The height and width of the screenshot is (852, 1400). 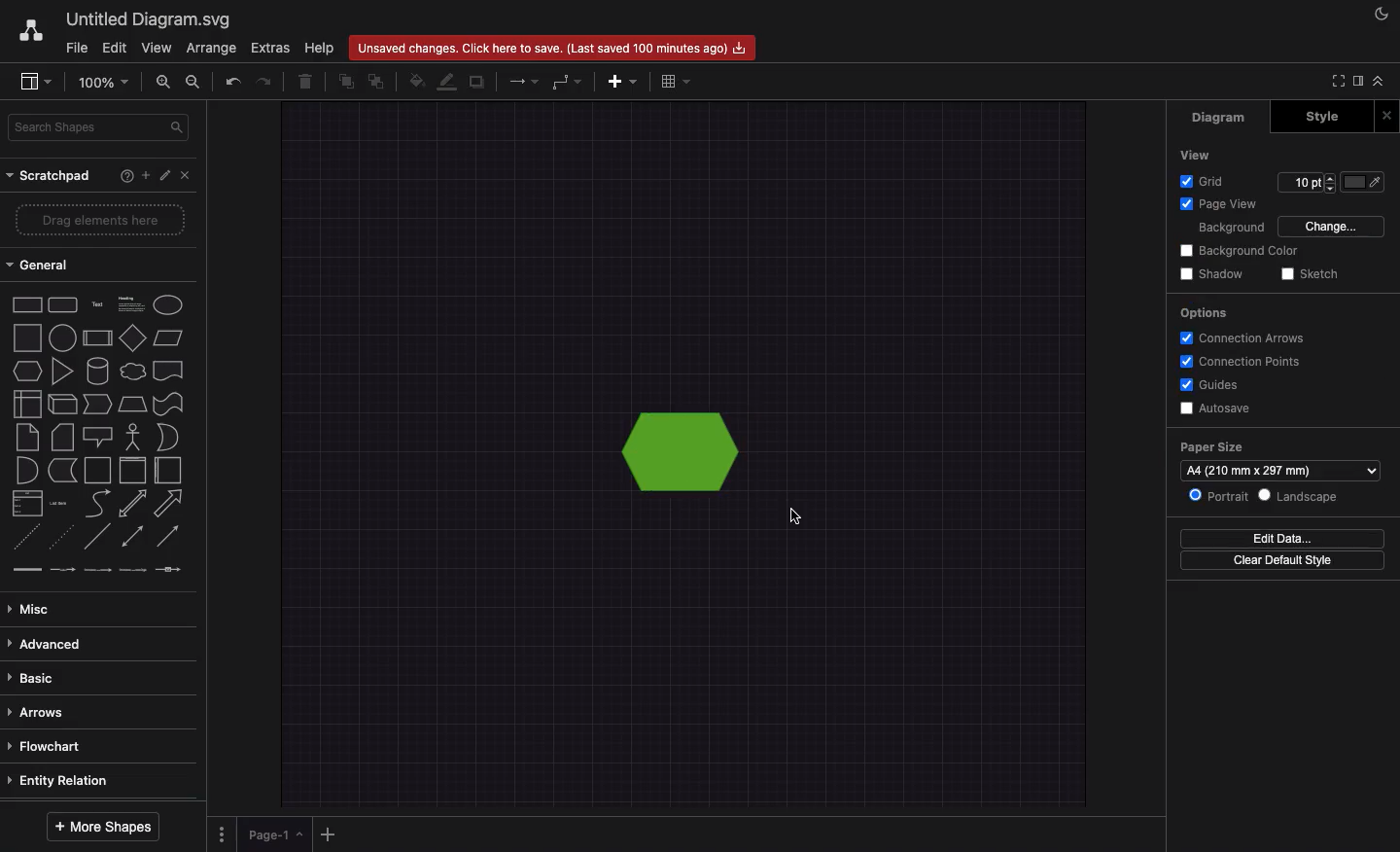 I want to click on Options, so click(x=223, y=833).